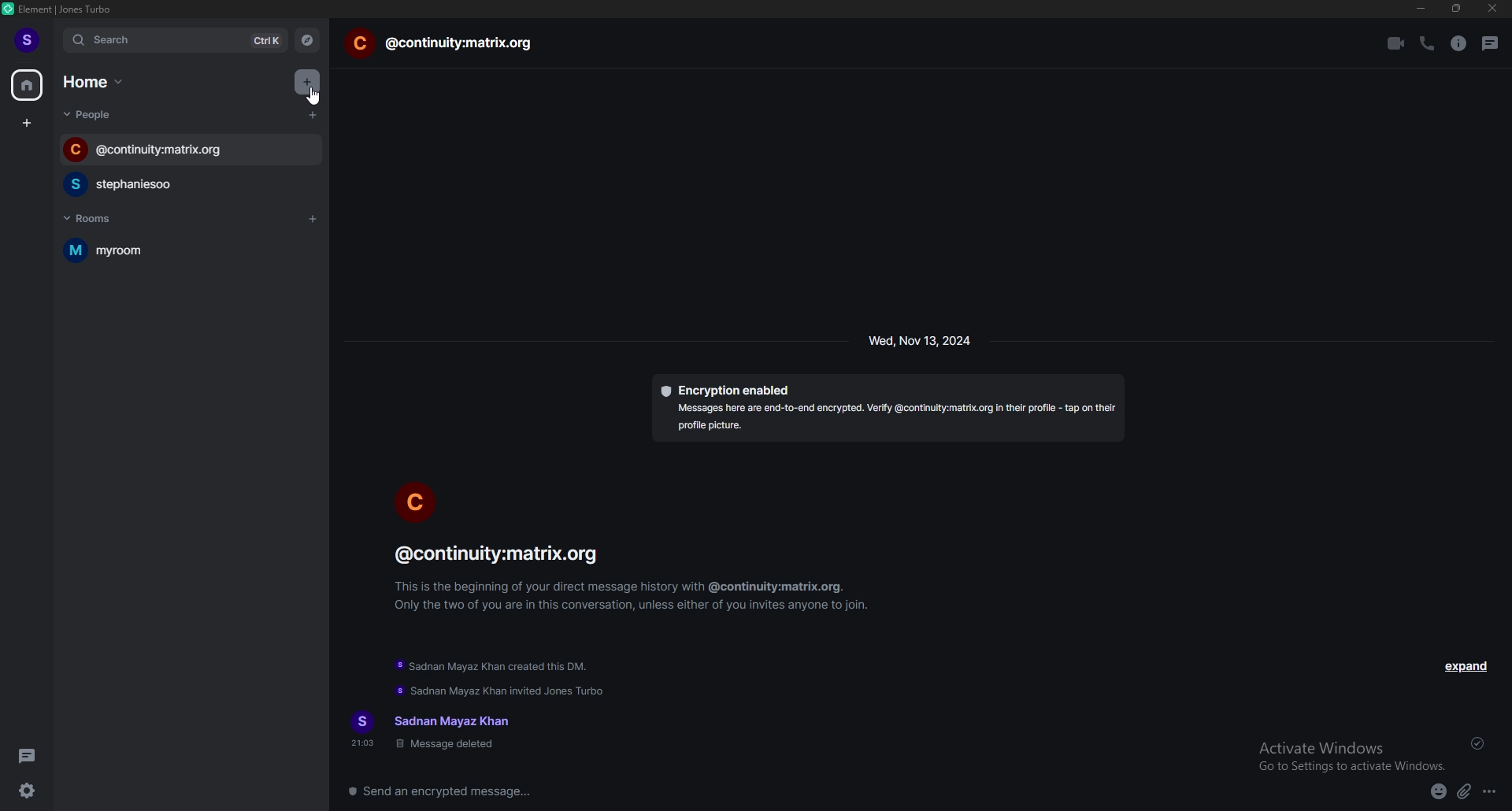 The image size is (1512, 811). I want to click on myroom, so click(153, 250).